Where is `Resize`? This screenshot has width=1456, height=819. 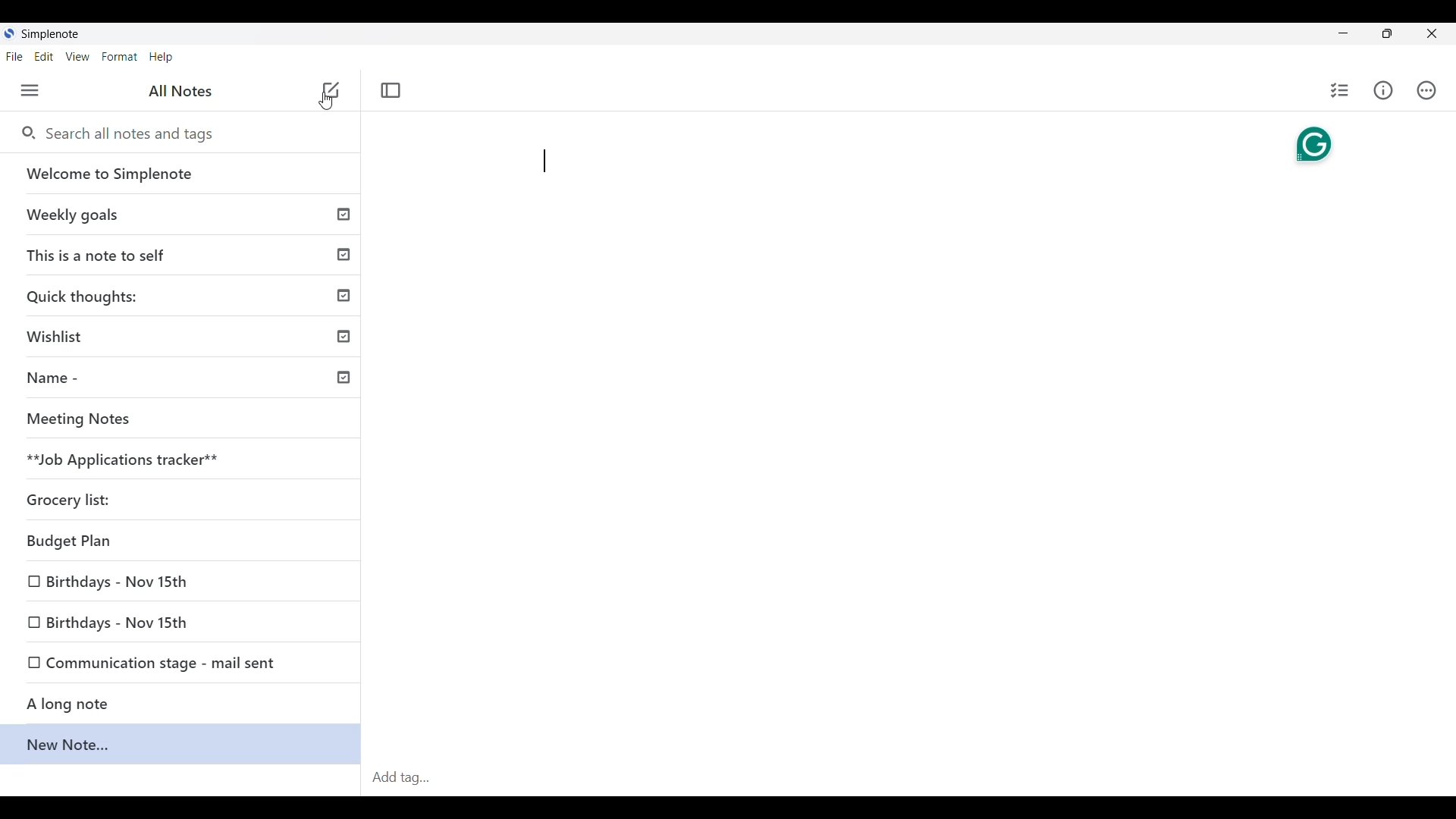
Resize is located at coordinates (1388, 33).